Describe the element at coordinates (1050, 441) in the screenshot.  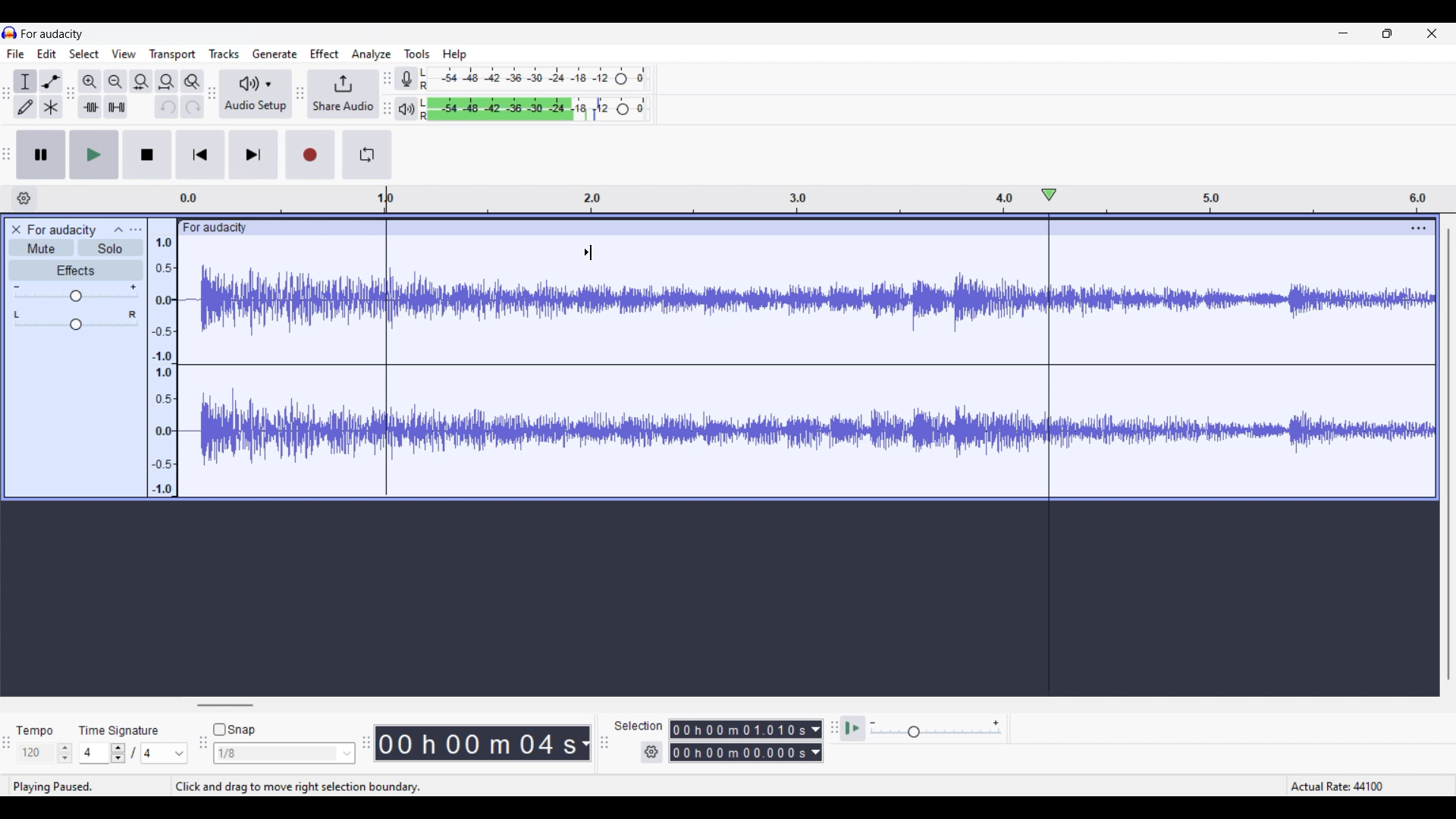
I see `Playhead` at that location.